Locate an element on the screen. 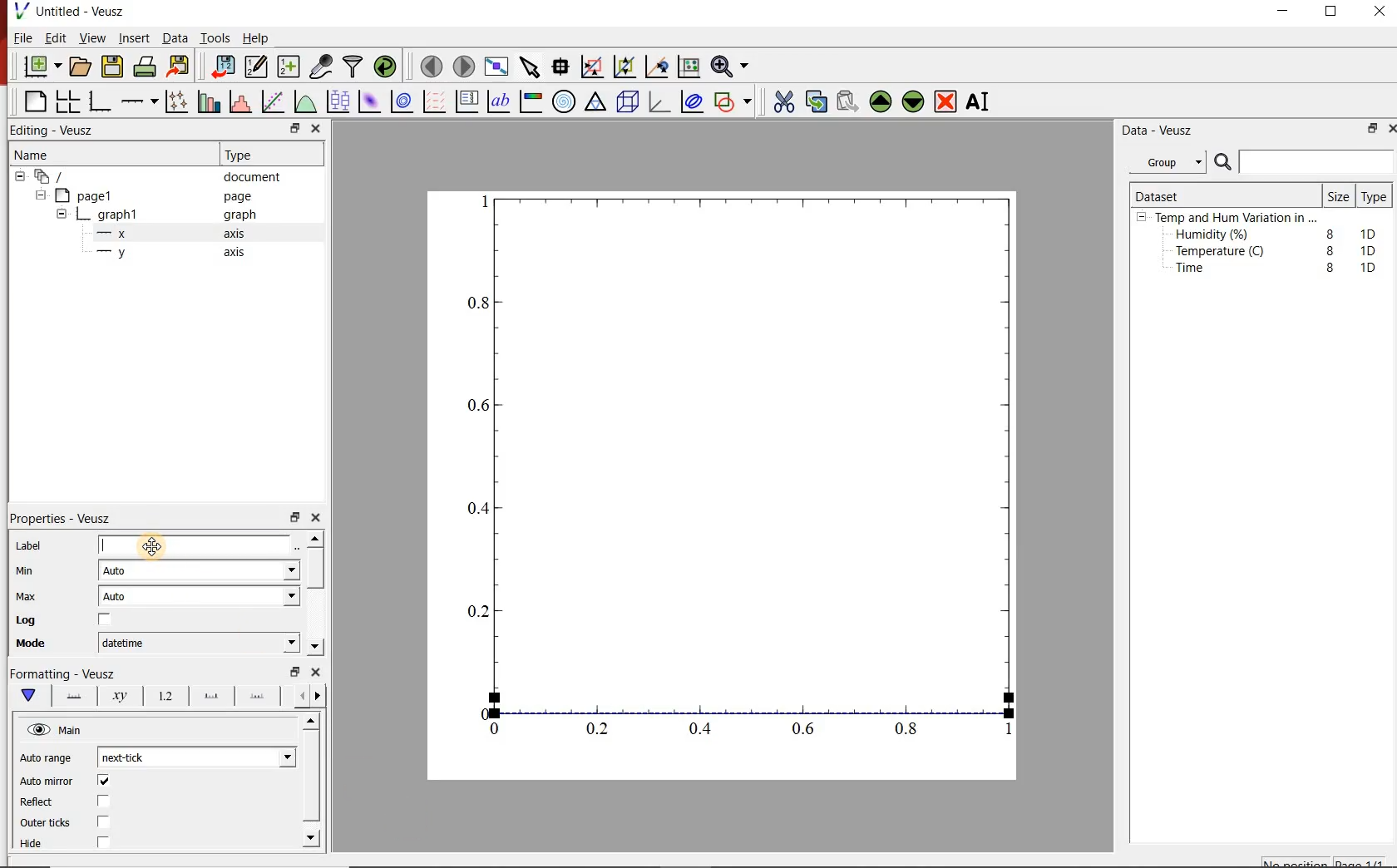  File is located at coordinates (19, 37).